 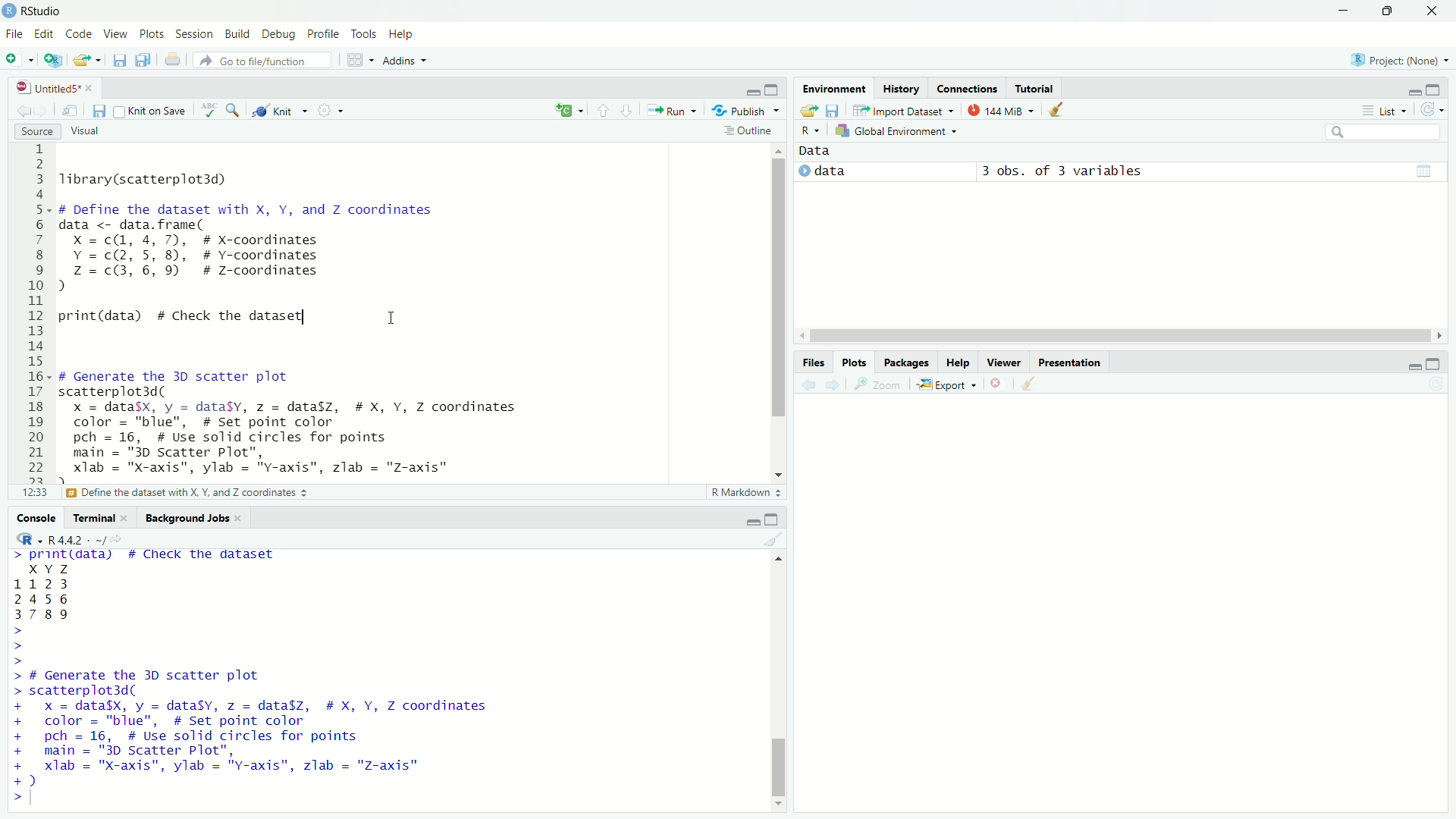 I want to click on profile, so click(x=322, y=33).